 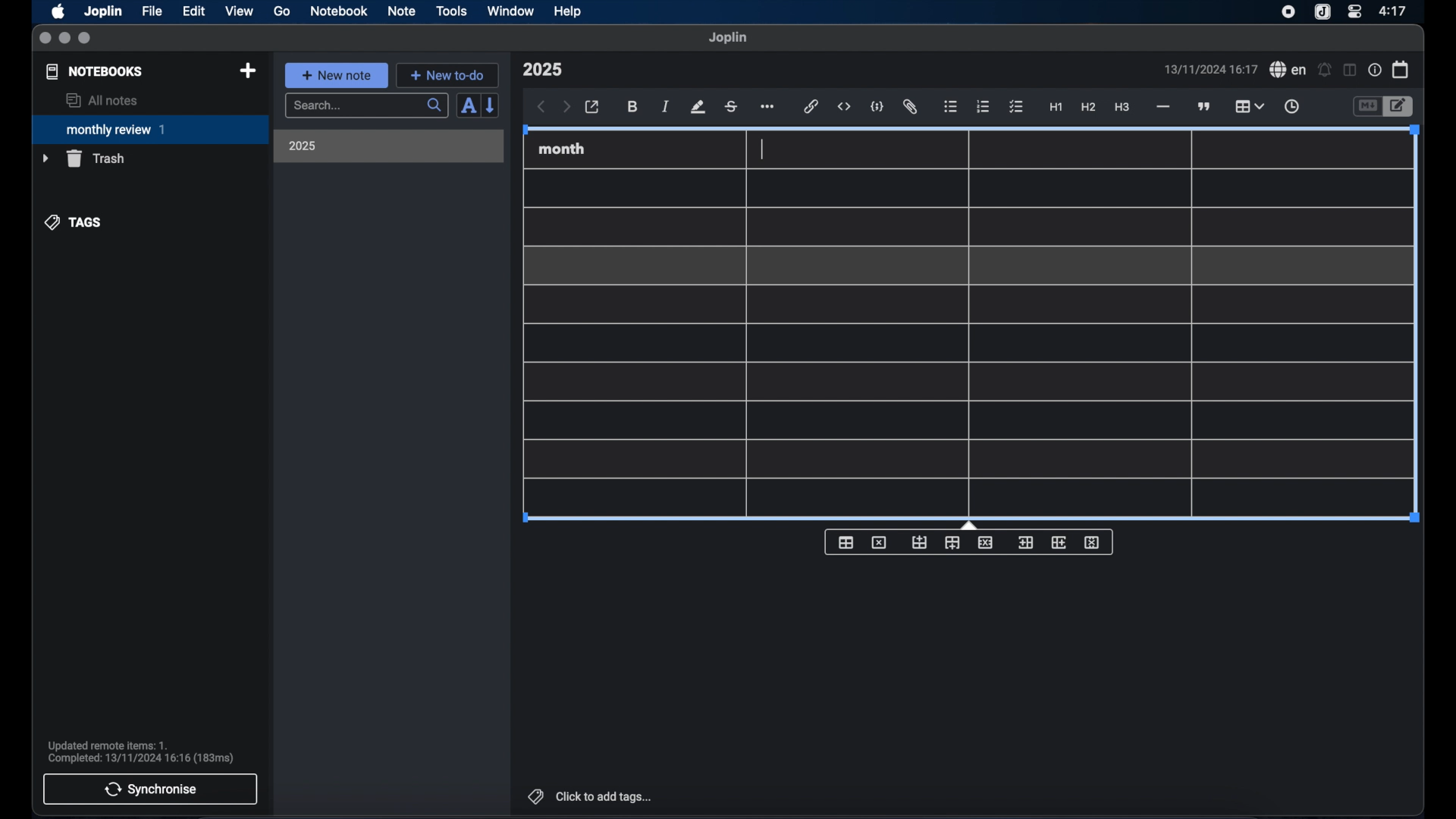 I want to click on window, so click(x=511, y=11).